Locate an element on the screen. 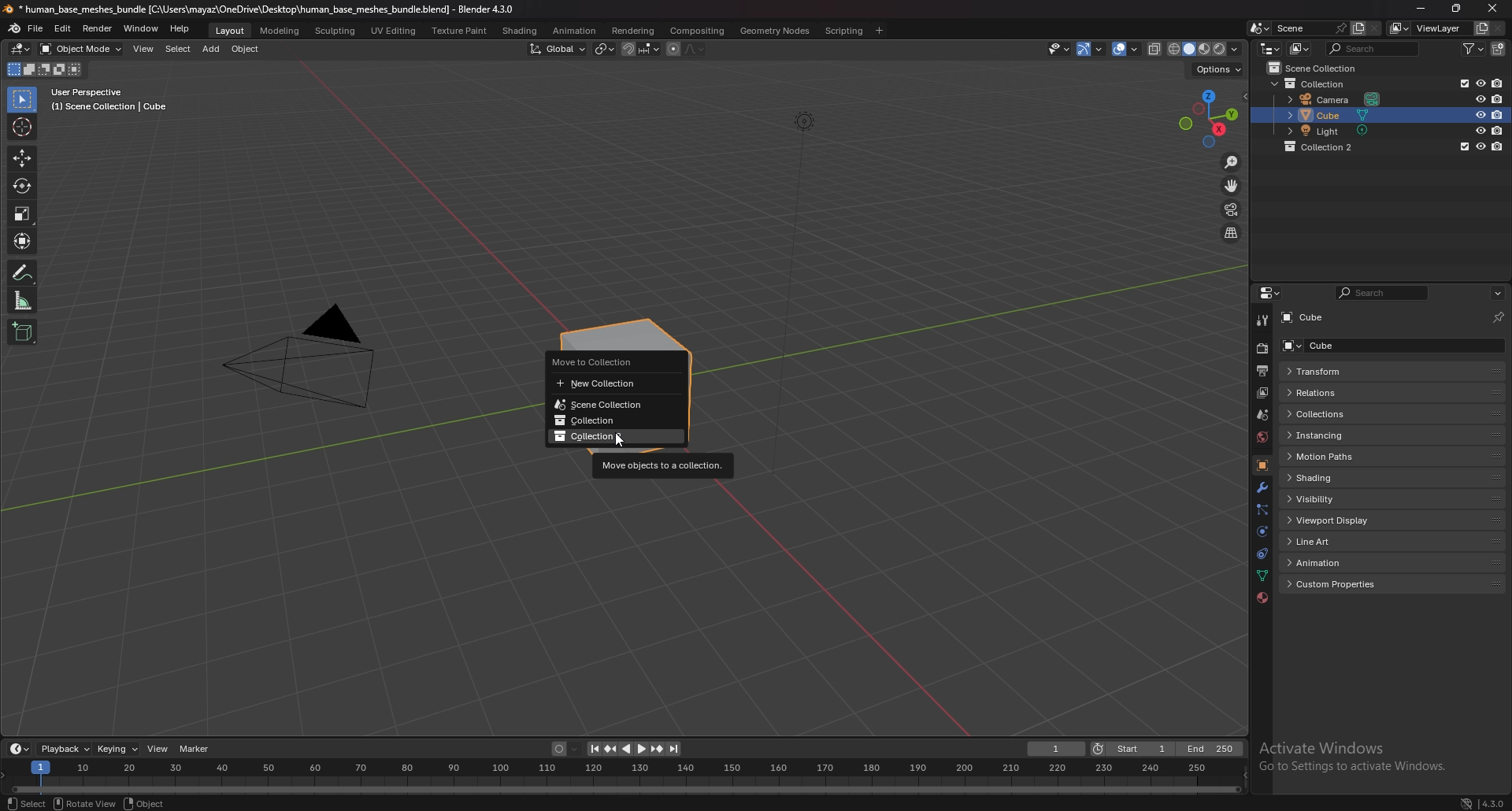 The height and width of the screenshot is (811, 1512). show gizmo is located at coordinates (1090, 50).